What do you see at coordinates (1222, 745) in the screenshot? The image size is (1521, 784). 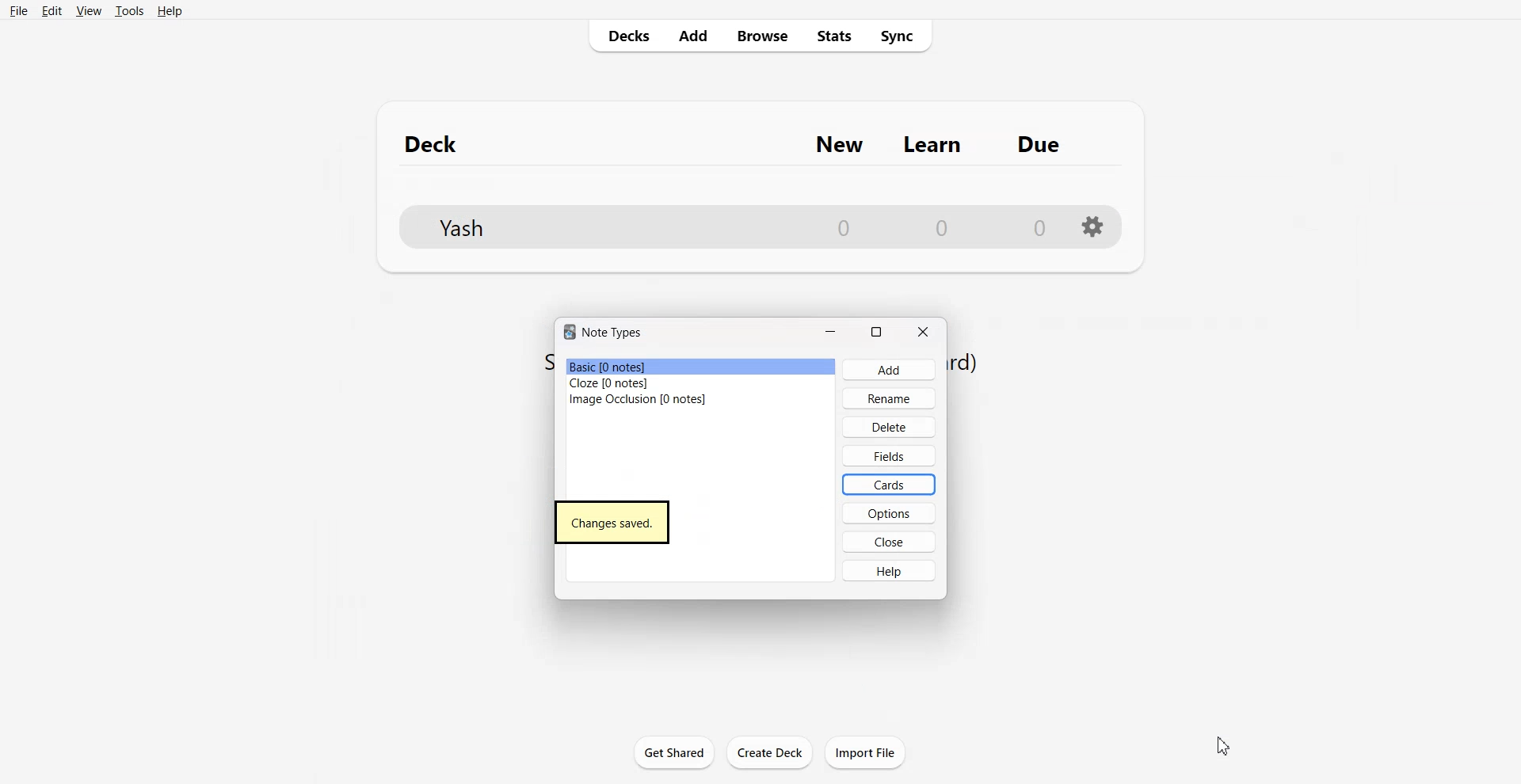 I see `Cursor` at bounding box center [1222, 745].